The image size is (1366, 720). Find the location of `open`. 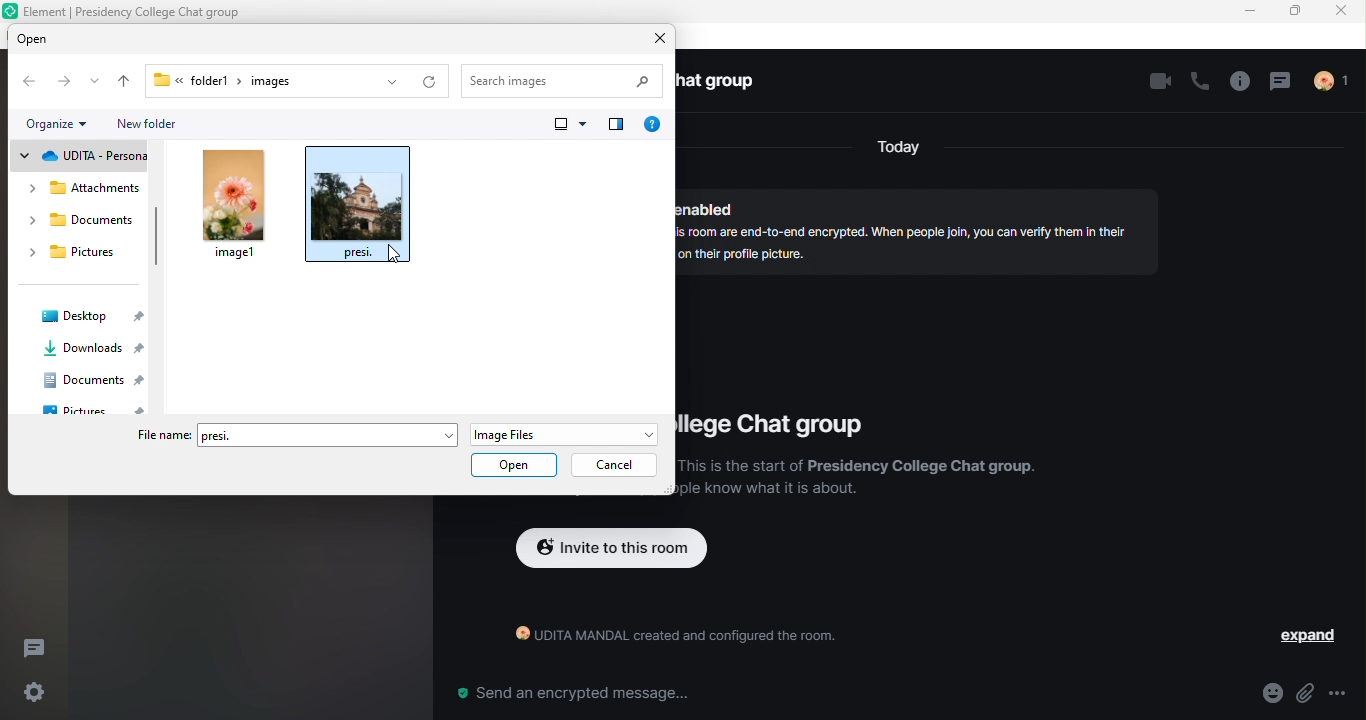

open is located at coordinates (514, 463).